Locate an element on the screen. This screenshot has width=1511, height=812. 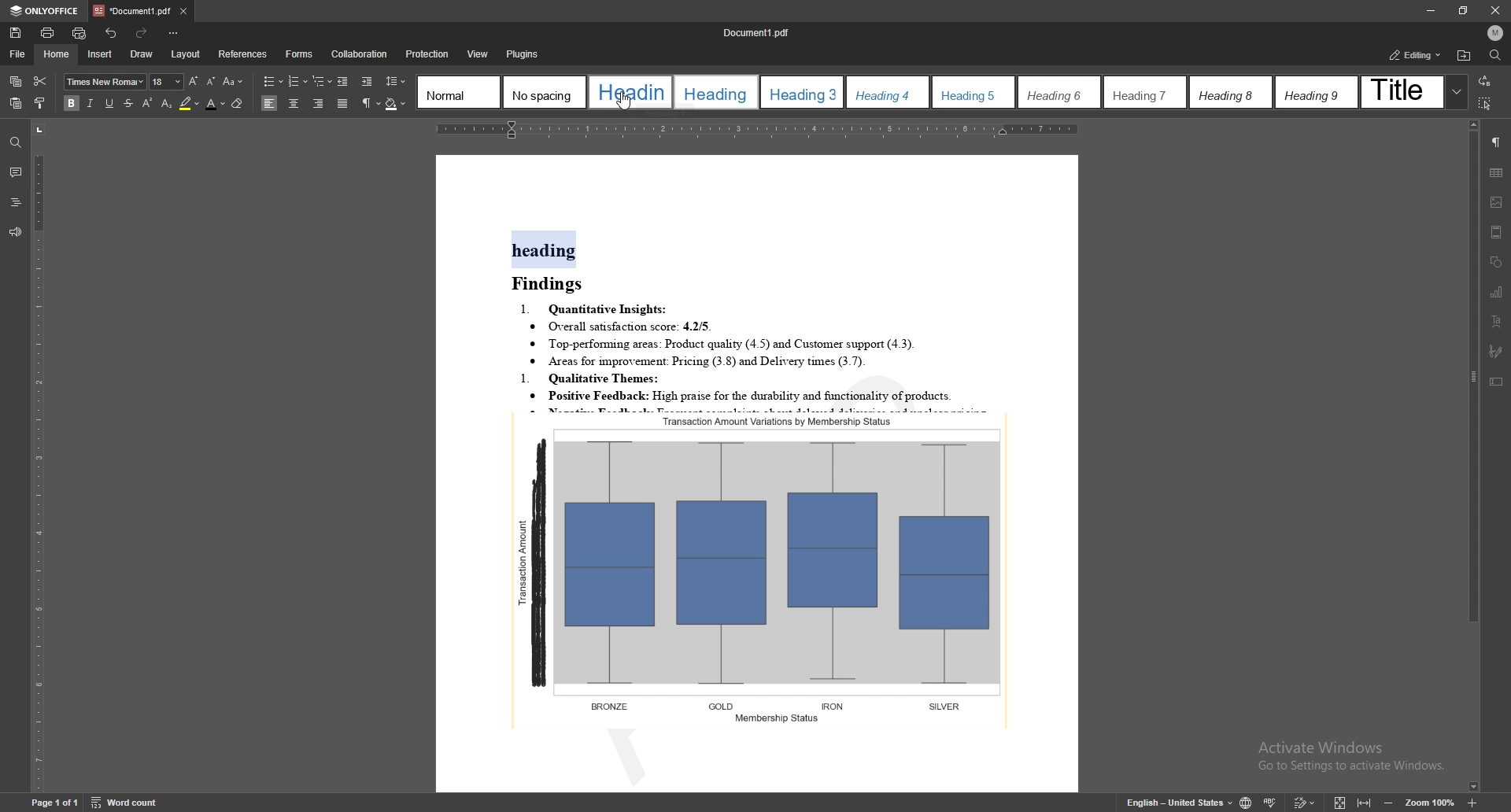
image is located at coordinates (1496, 202).